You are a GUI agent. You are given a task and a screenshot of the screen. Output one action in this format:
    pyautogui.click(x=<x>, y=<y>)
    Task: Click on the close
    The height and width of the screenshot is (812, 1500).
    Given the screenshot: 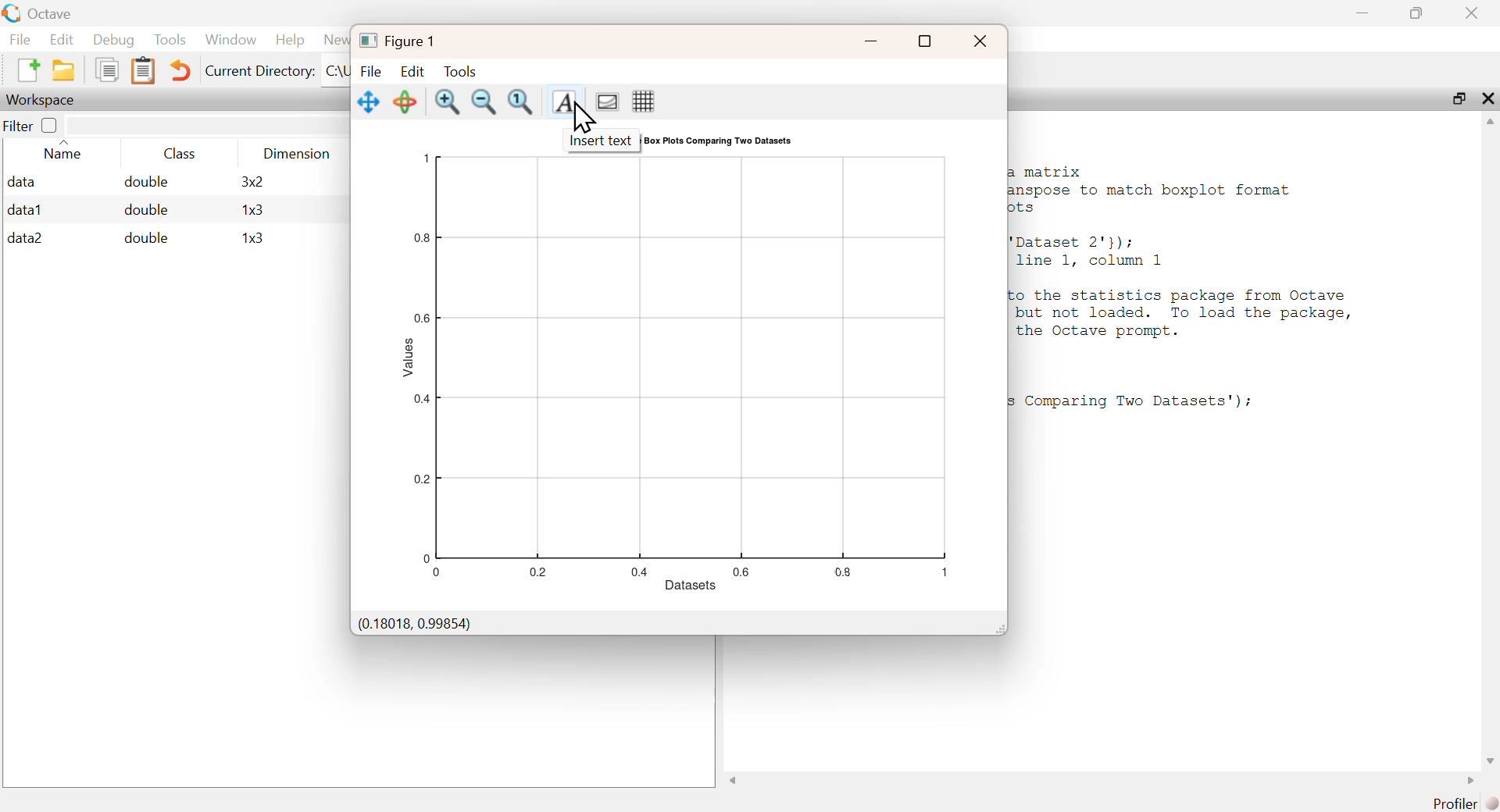 What is the action you would take?
    pyautogui.click(x=982, y=40)
    